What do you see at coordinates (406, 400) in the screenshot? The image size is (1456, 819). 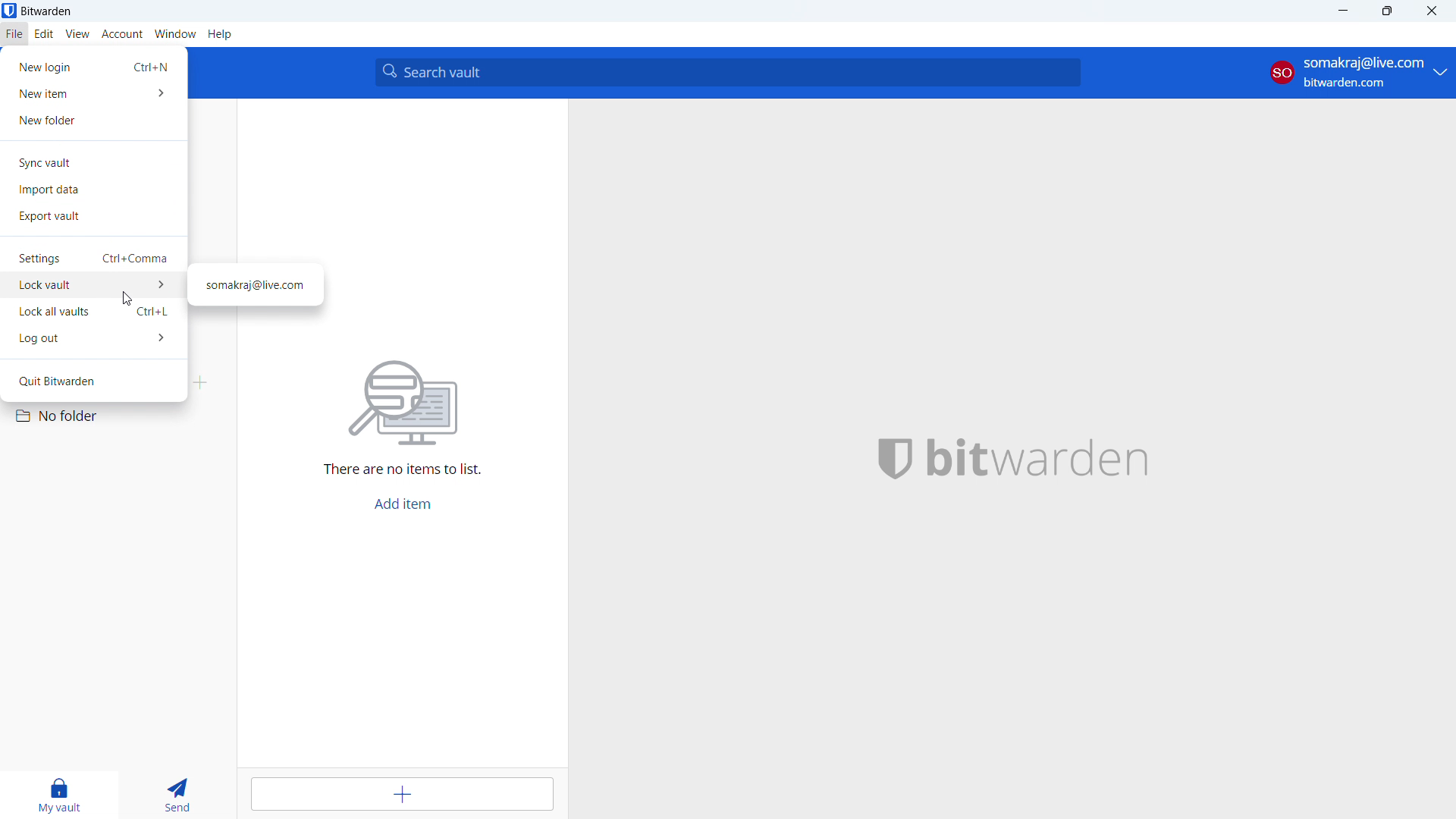 I see `search for file vector image` at bounding box center [406, 400].